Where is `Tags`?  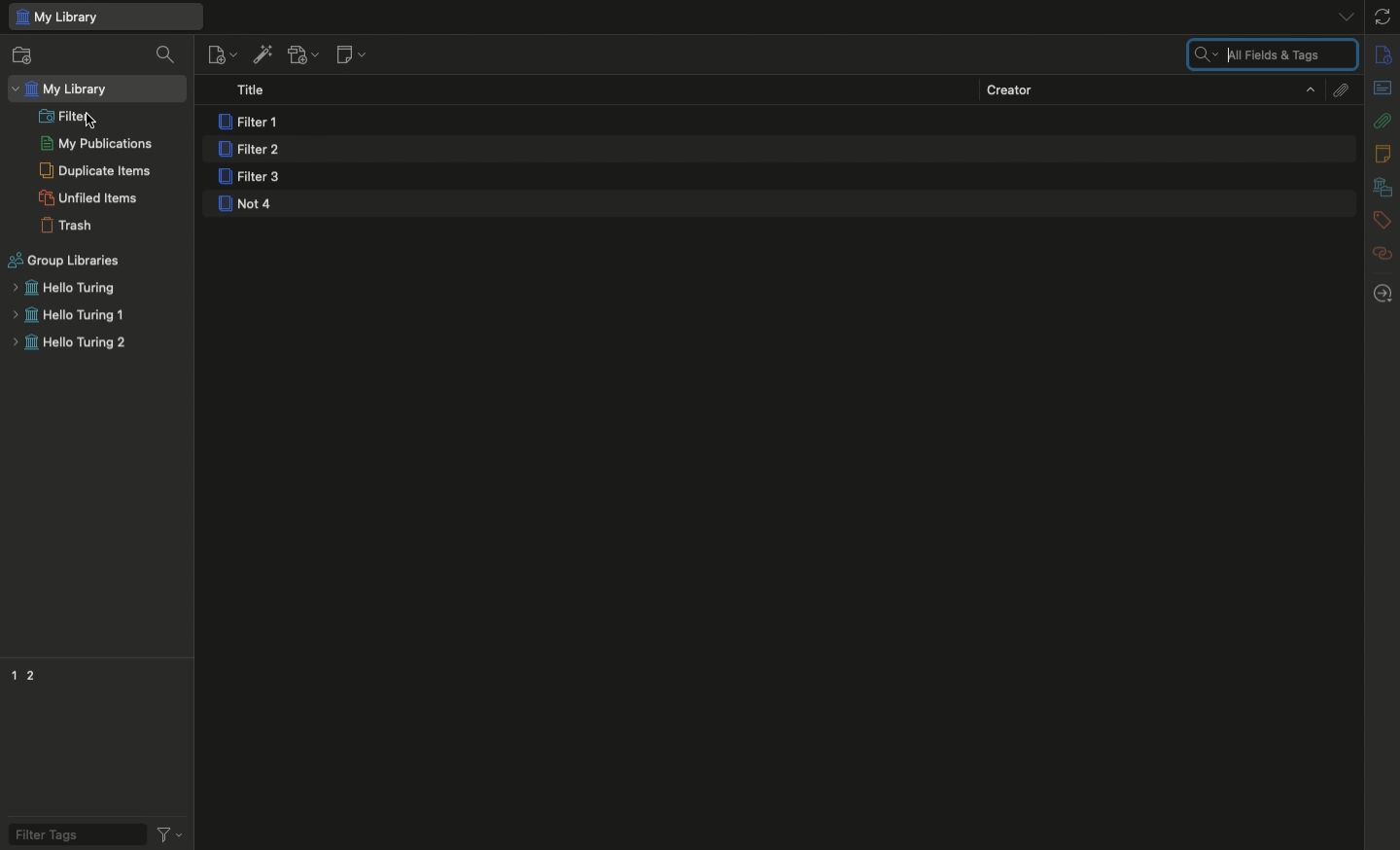
Tags is located at coordinates (1382, 221).